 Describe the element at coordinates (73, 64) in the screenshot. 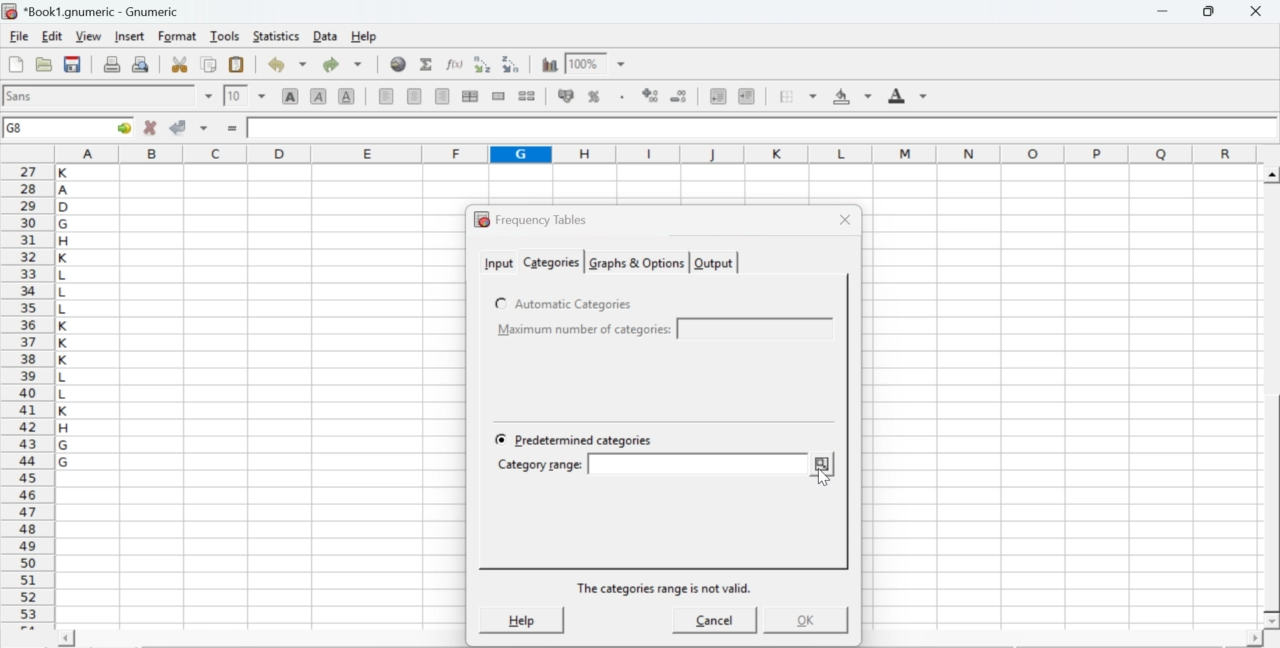

I see `save current workbook` at that location.